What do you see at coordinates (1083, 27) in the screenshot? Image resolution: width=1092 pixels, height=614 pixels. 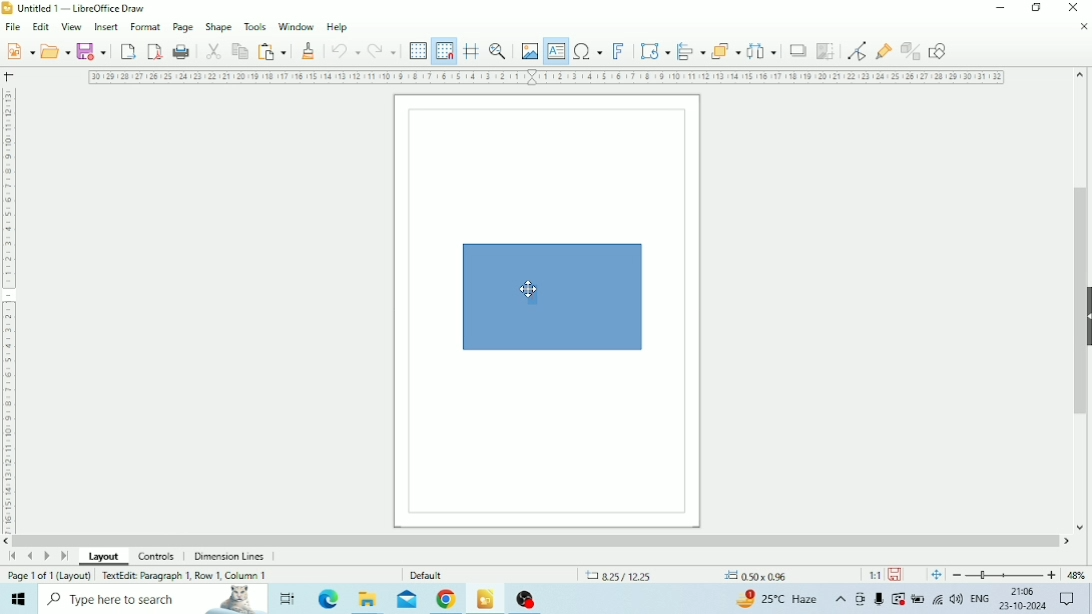 I see `Close Document` at bounding box center [1083, 27].